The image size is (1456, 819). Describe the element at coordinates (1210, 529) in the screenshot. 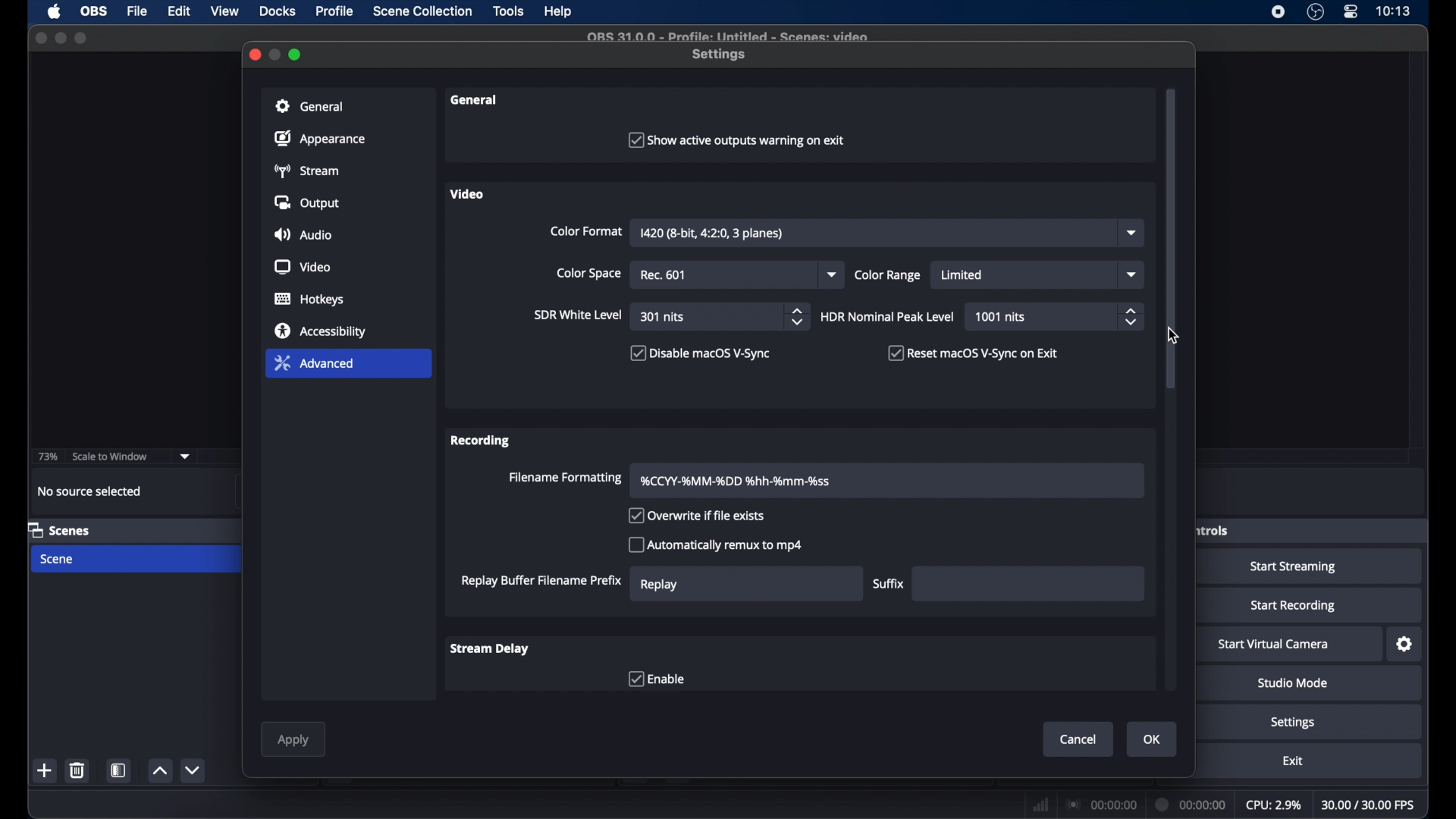

I see `obscure label` at that location.